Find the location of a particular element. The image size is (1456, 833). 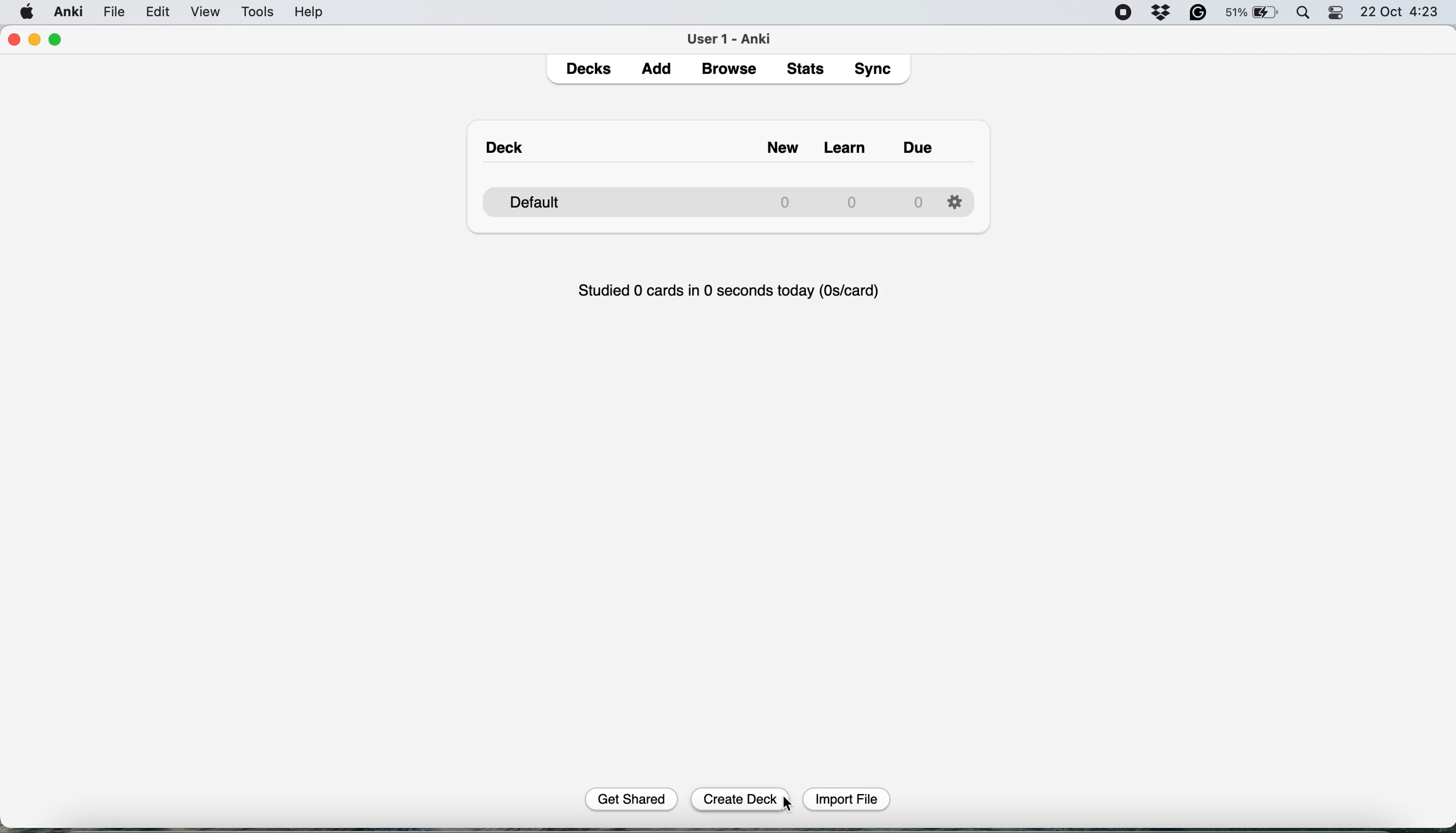

Learn is located at coordinates (848, 143).